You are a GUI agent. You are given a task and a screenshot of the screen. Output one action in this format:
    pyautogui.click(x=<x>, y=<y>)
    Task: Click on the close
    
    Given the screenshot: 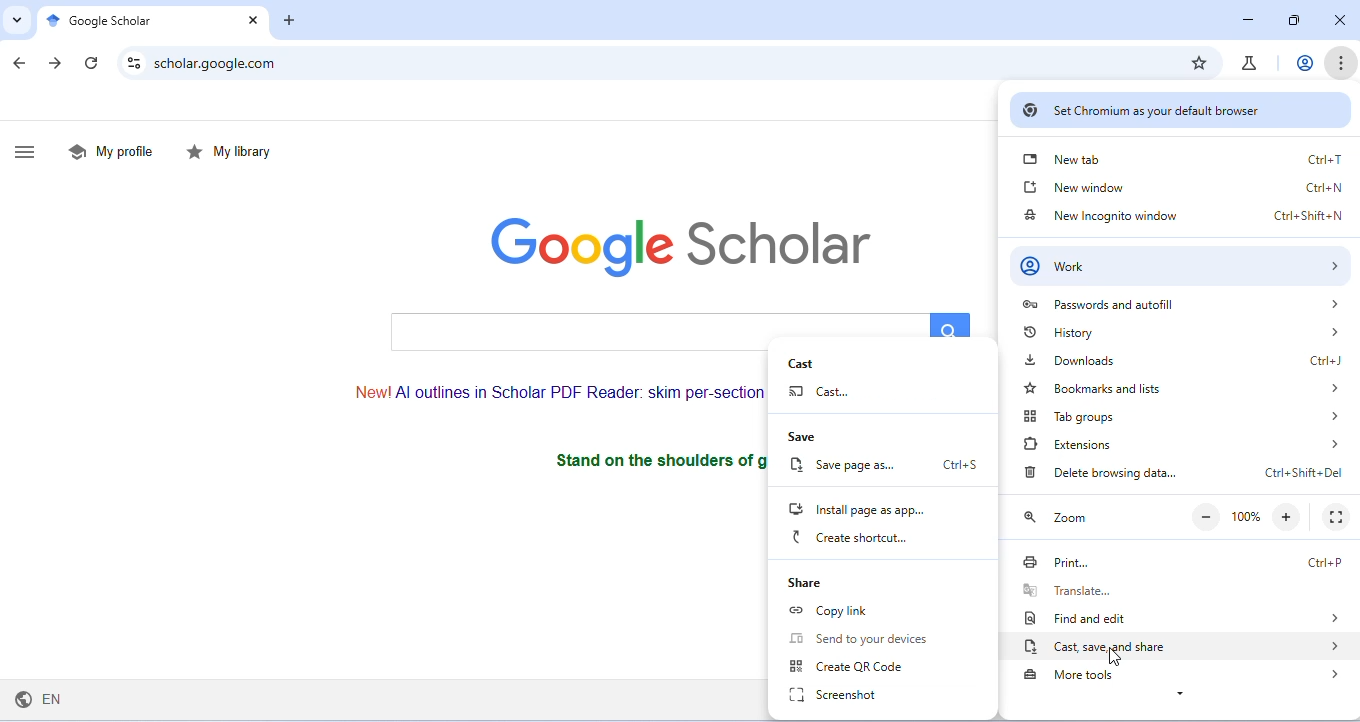 What is the action you would take?
    pyautogui.click(x=1336, y=20)
    